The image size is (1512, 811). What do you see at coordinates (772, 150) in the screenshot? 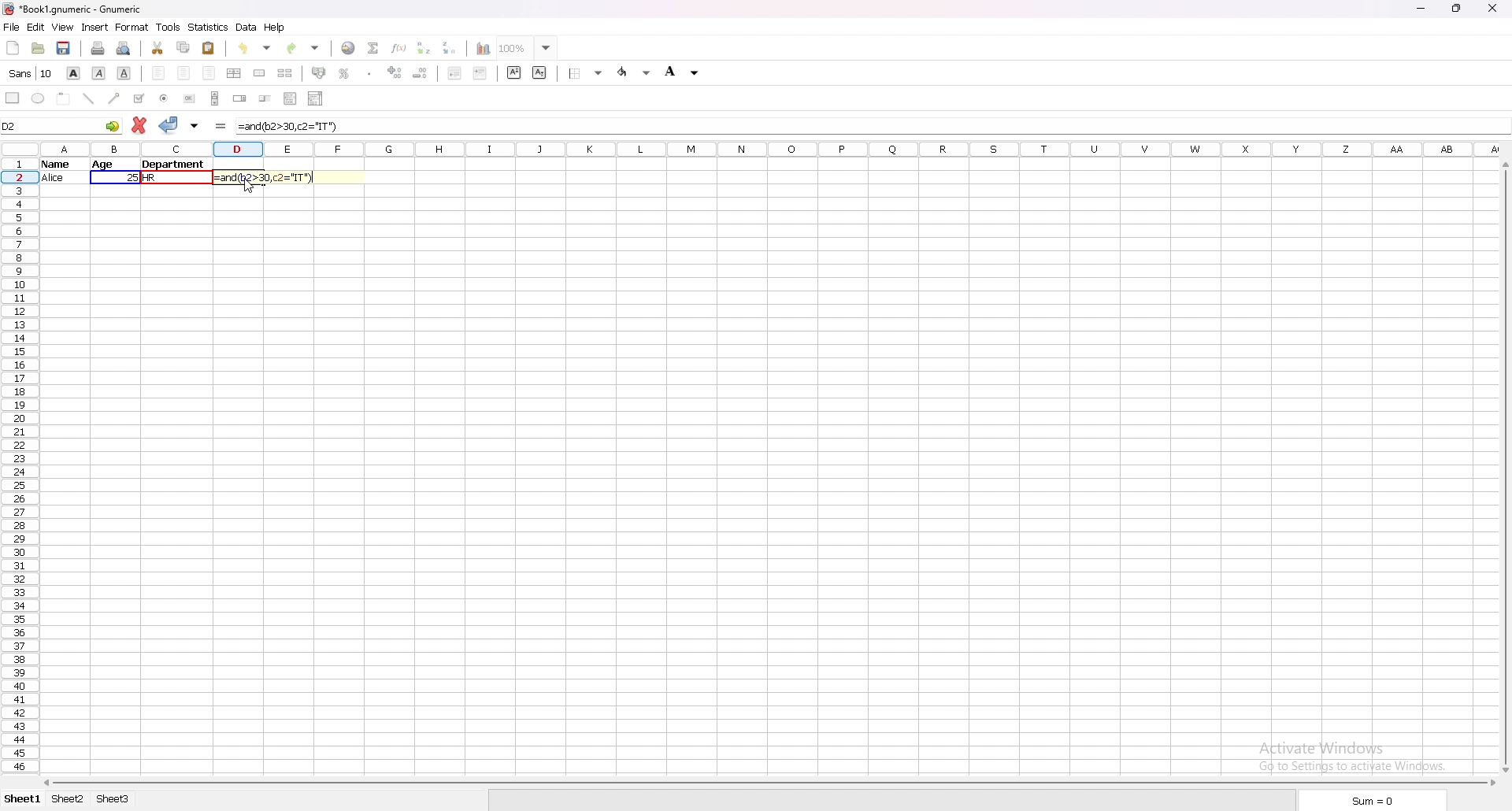
I see `column` at bounding box center [772, 150].